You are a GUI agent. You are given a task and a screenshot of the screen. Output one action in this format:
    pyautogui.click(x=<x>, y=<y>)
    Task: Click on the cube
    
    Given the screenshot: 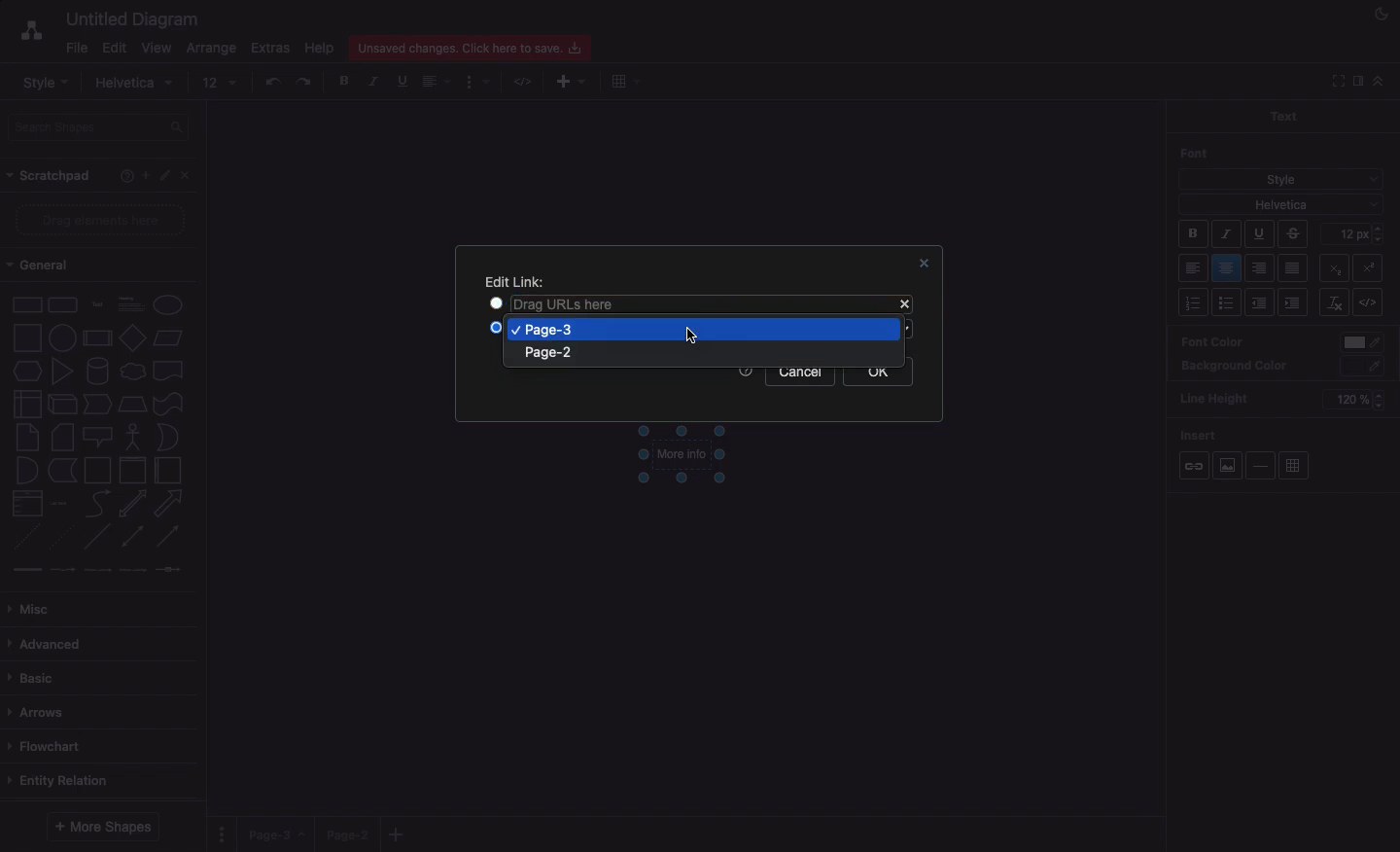 What is the action you would take?
    pyautogui.click(x=62, y=405)
    